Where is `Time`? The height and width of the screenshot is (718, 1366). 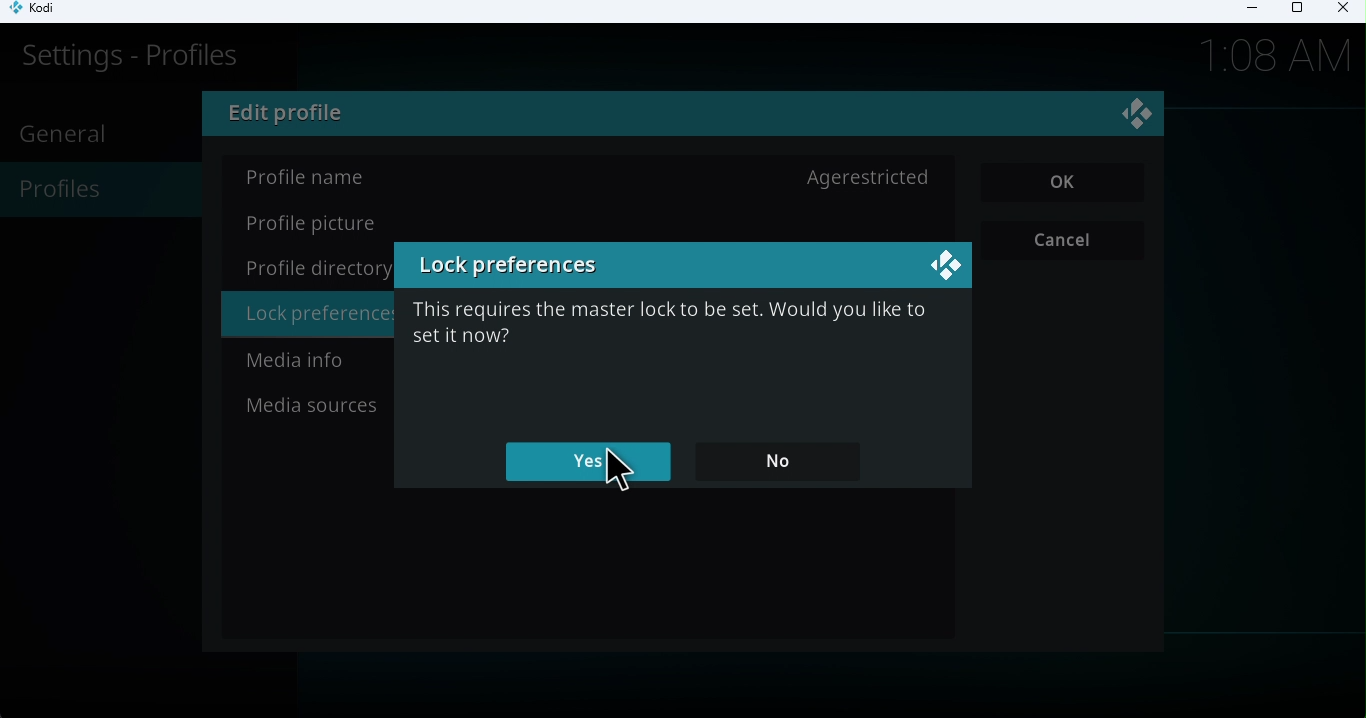
Time is located at coordinates (1277, 53).